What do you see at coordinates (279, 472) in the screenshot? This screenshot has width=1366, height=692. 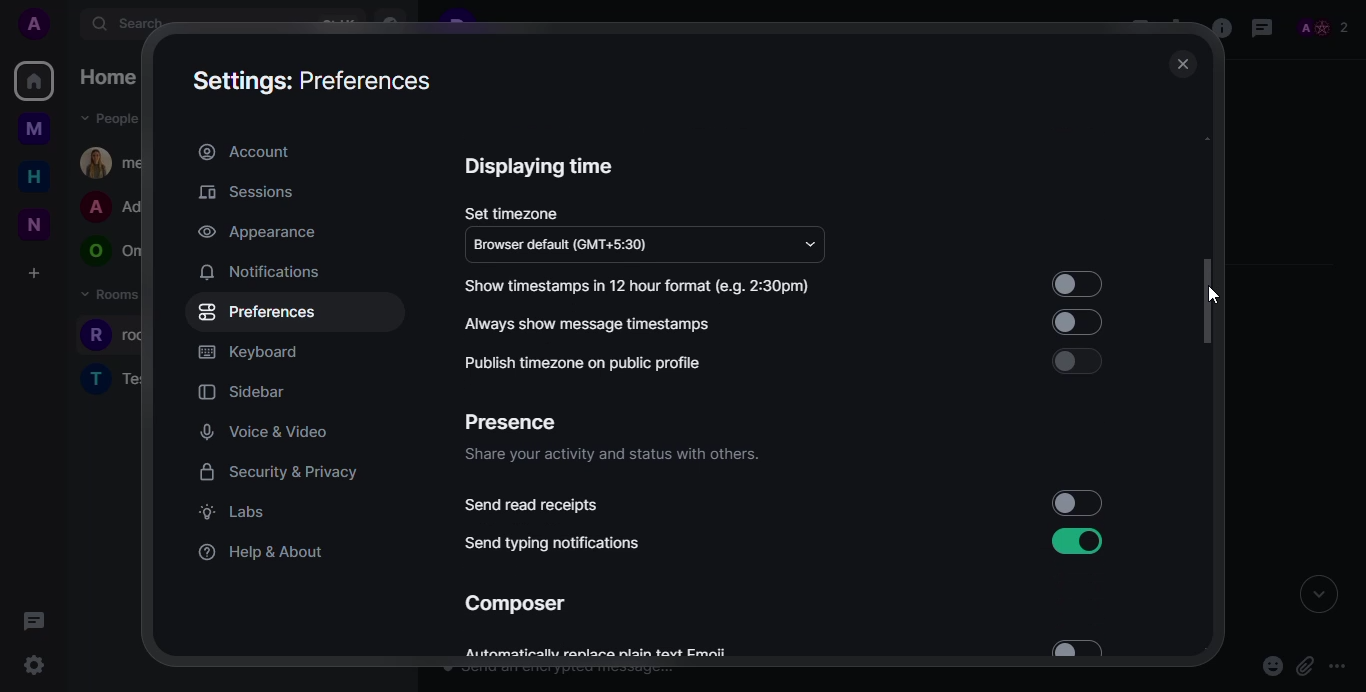 I see `security` at bounding box center [279, 472].